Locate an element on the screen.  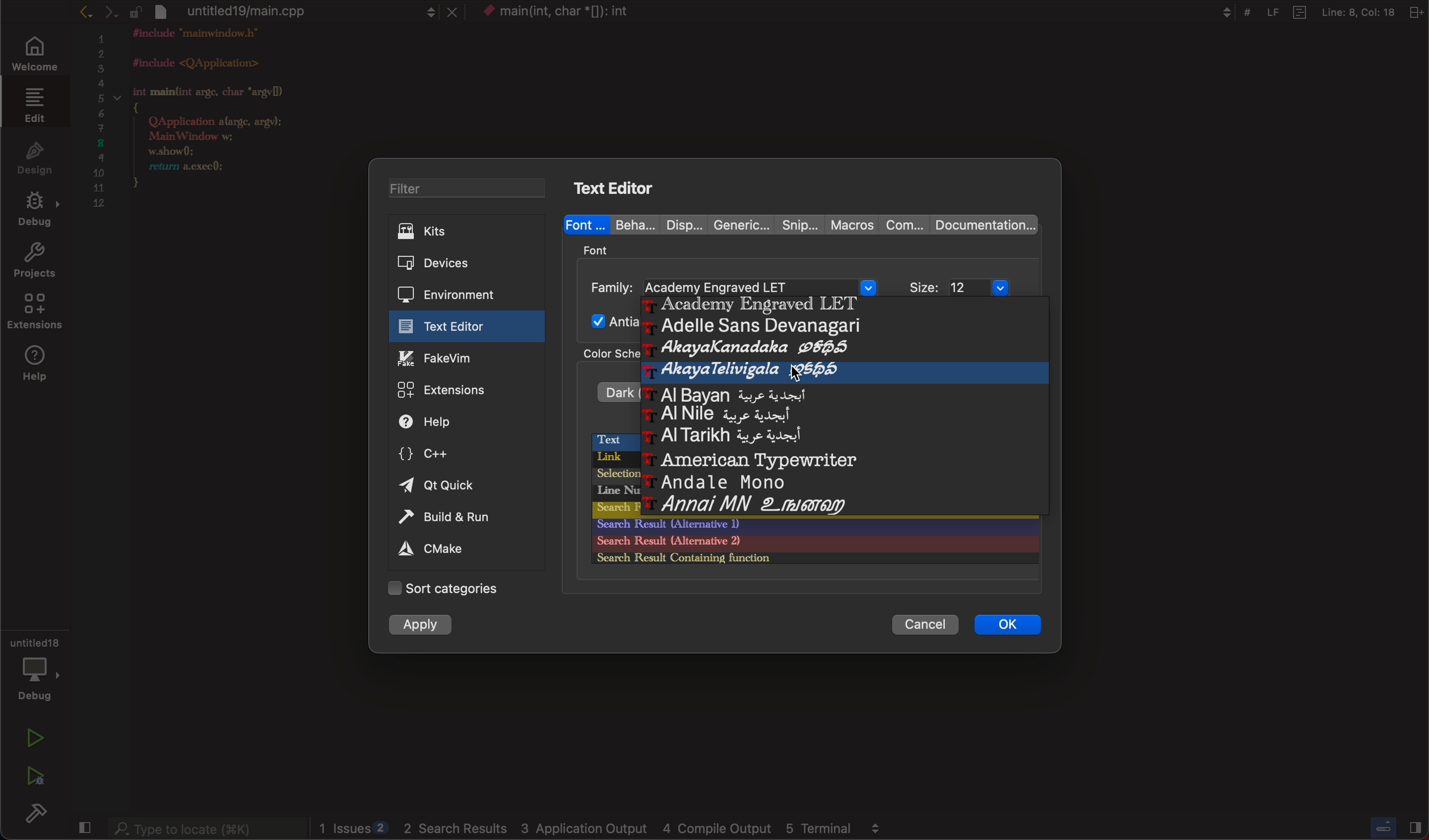
file tab is located at coordinates (310, 12).